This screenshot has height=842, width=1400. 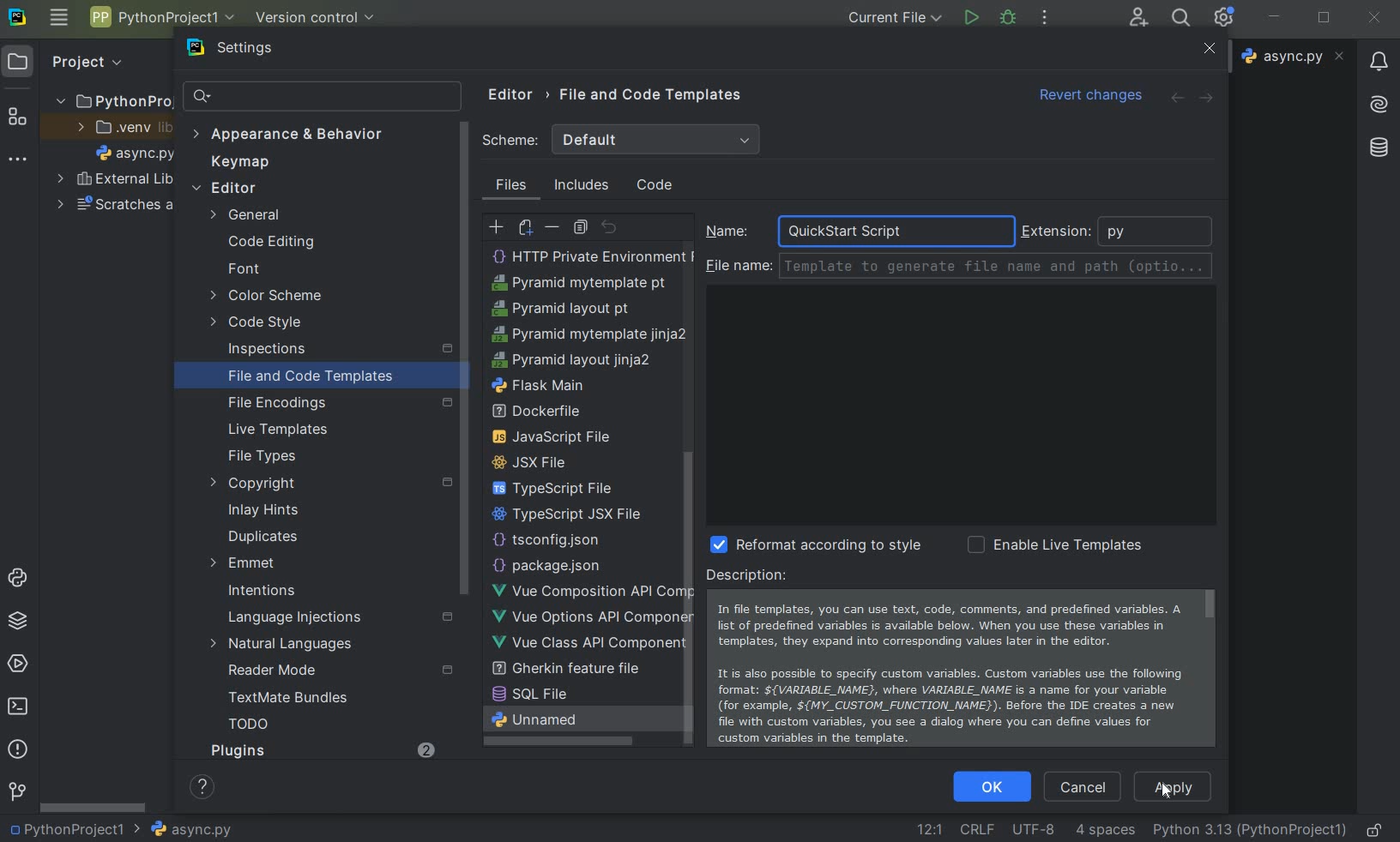 I want to click on problems, so click(x=17, y=748).